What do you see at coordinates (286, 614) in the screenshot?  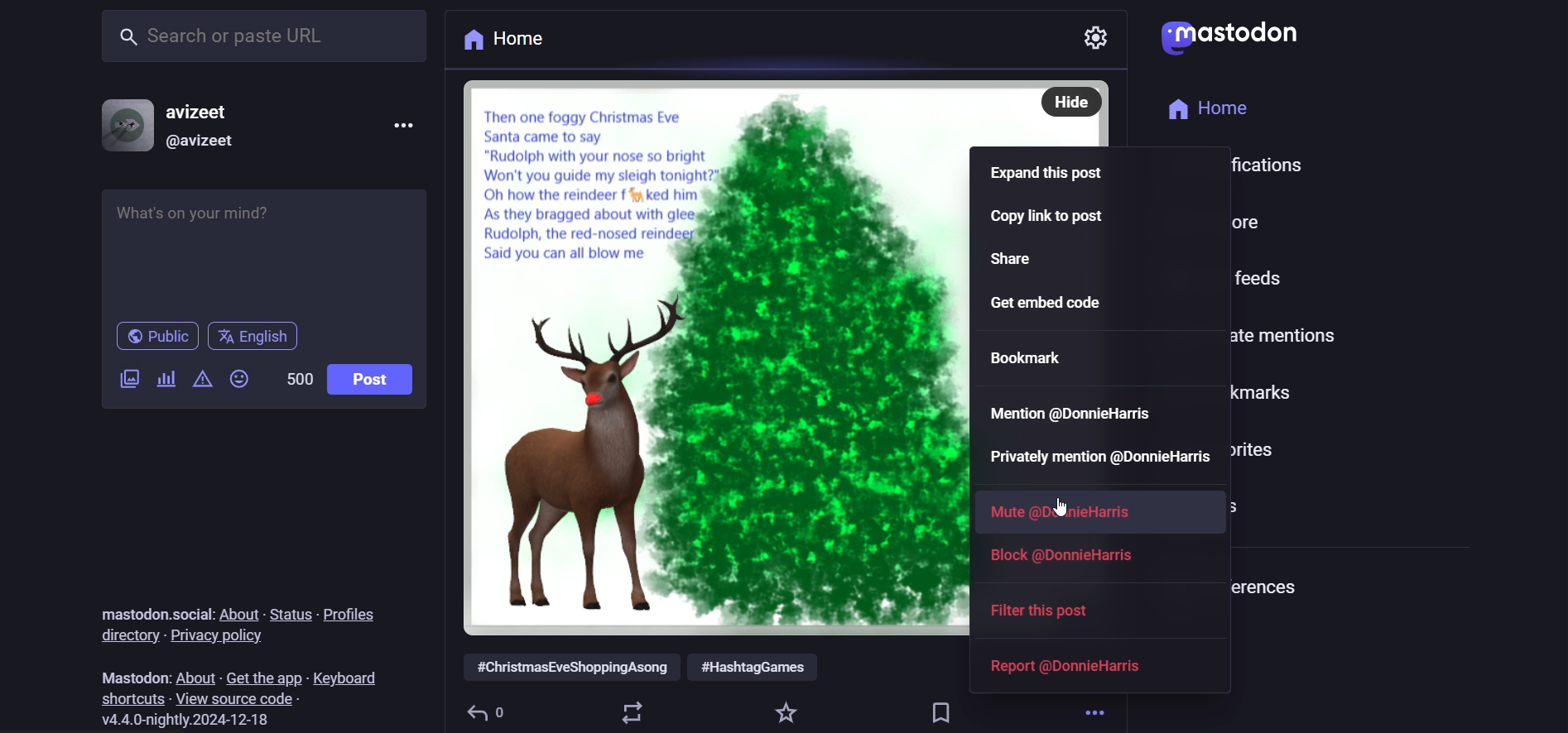 I see `status` at bounding box center [286, 614].